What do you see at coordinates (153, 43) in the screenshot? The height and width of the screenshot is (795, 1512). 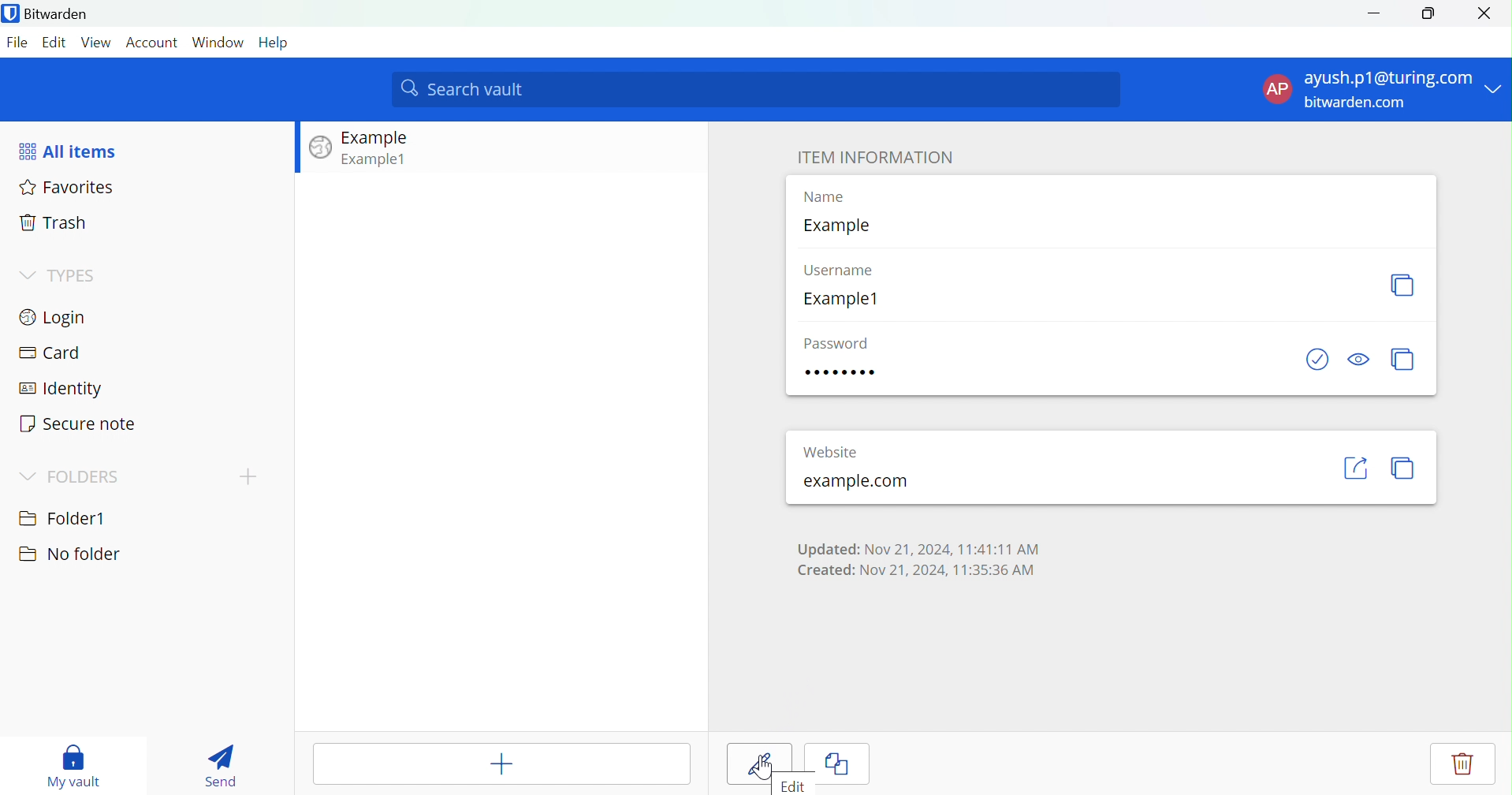 I see `Account` at bounding box center [153, 43].